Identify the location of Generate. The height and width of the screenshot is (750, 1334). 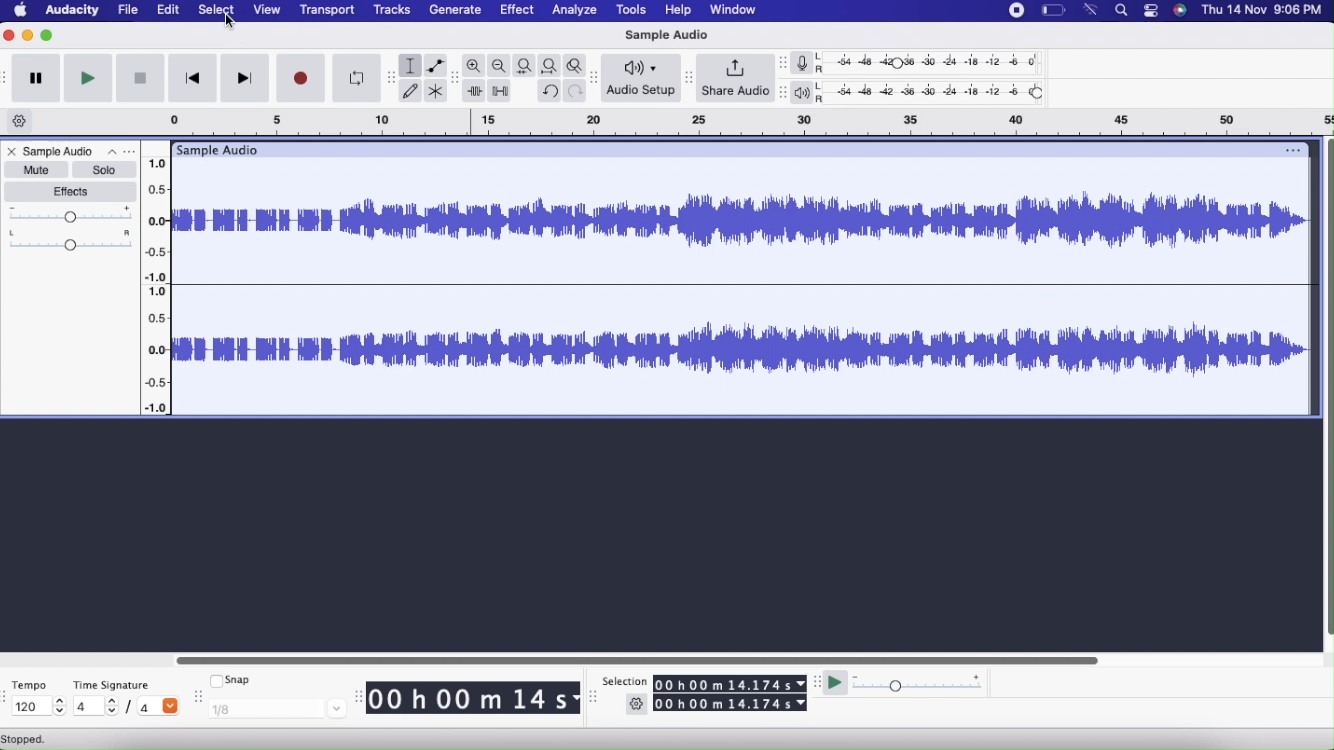
(456, 11).